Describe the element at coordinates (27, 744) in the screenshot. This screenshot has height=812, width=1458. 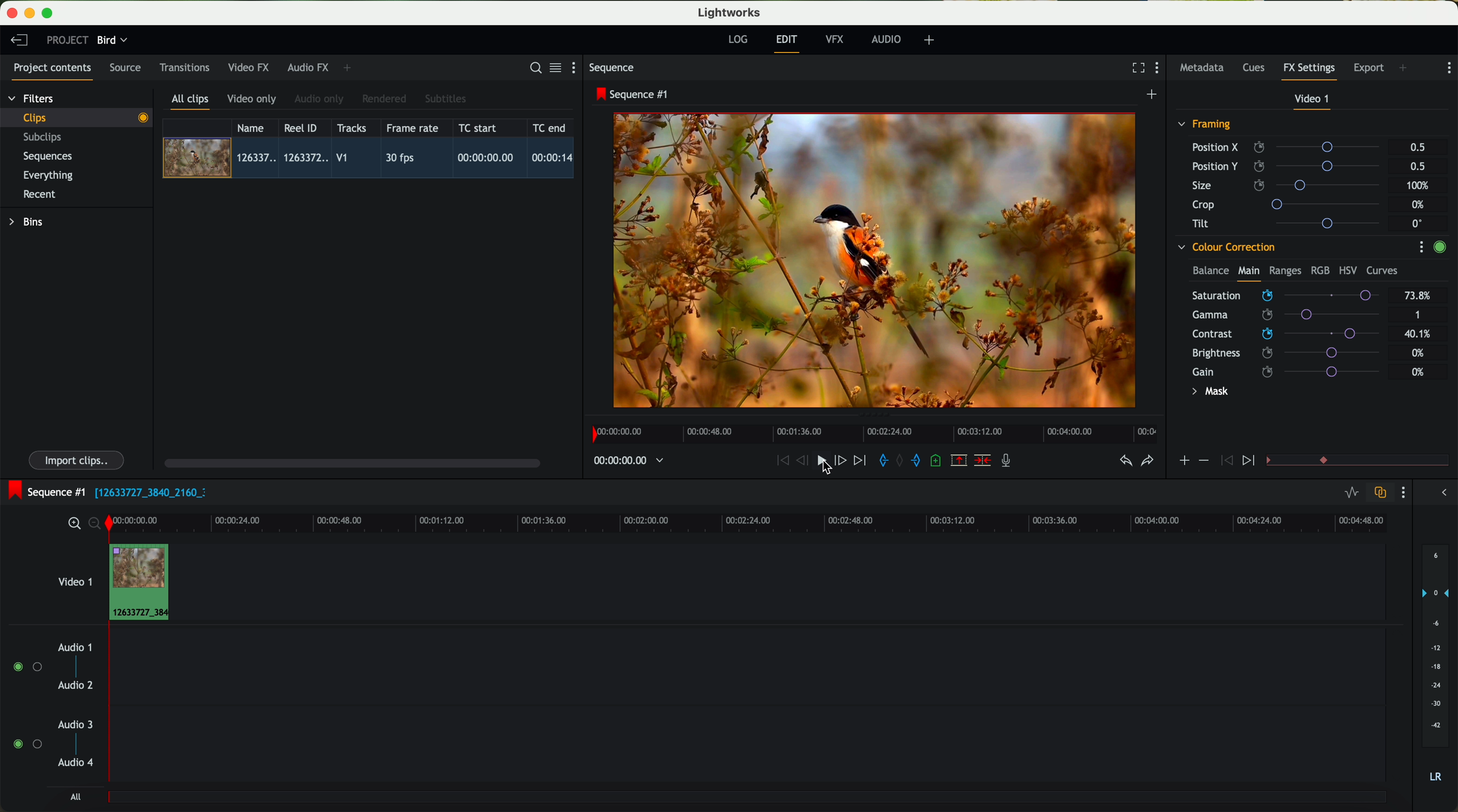
I see `enable audio` at that location.